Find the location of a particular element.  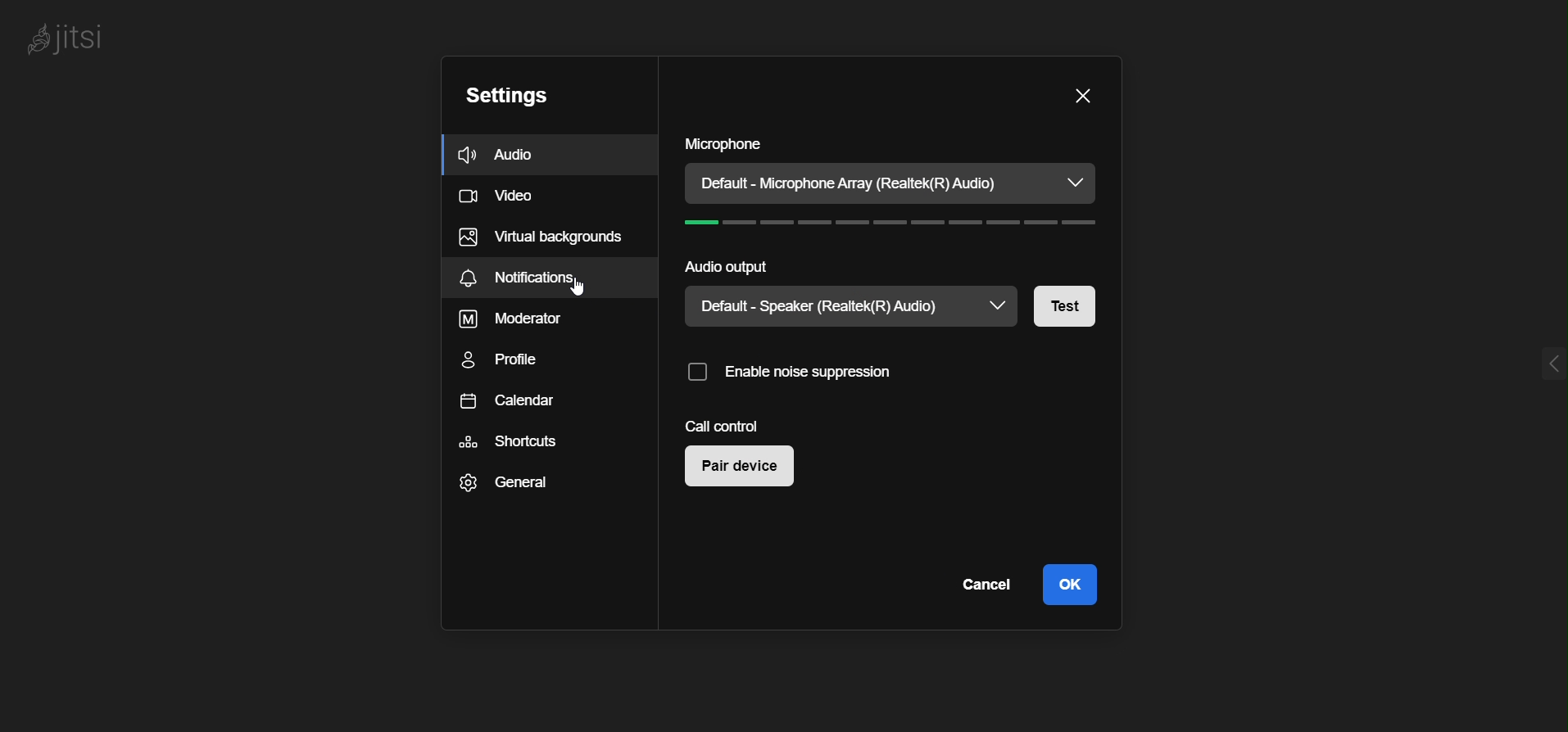

current microphone is located at coordinates (874, 183).